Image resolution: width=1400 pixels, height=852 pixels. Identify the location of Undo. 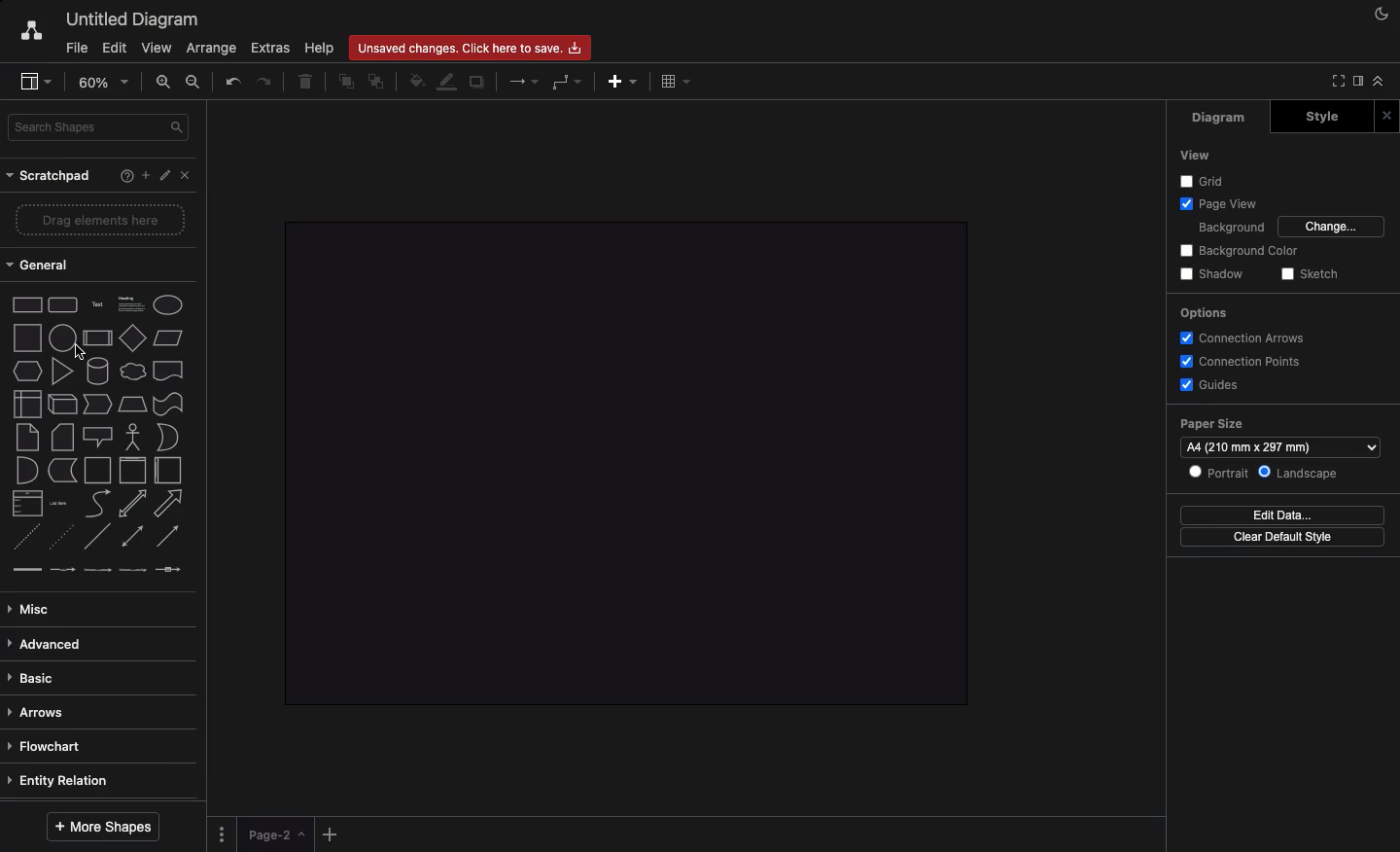
(230, 81).